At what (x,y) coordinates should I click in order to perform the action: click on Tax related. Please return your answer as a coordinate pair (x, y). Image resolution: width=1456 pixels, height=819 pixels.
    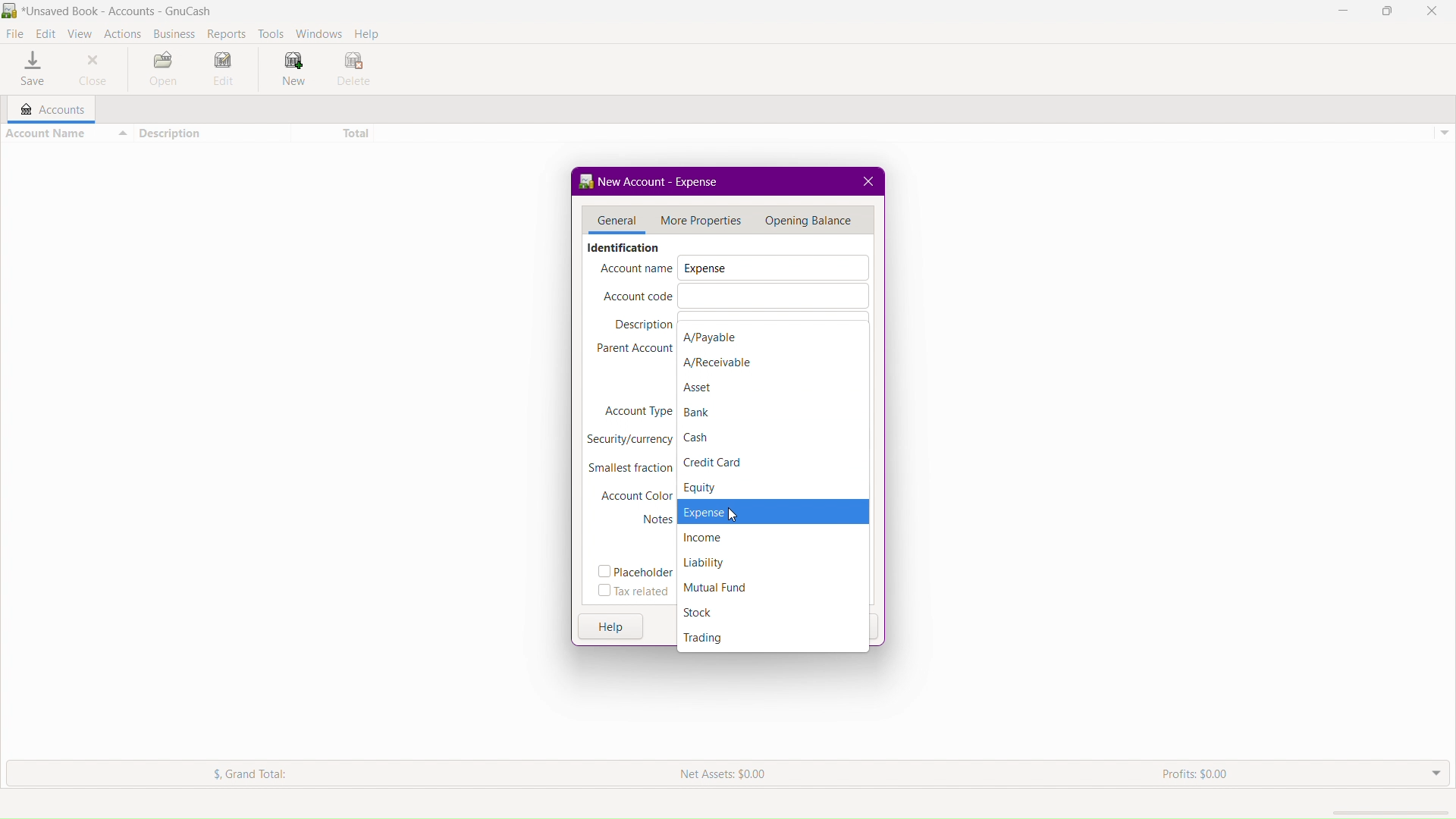
    Looking at the image, I should click on (634, 593).